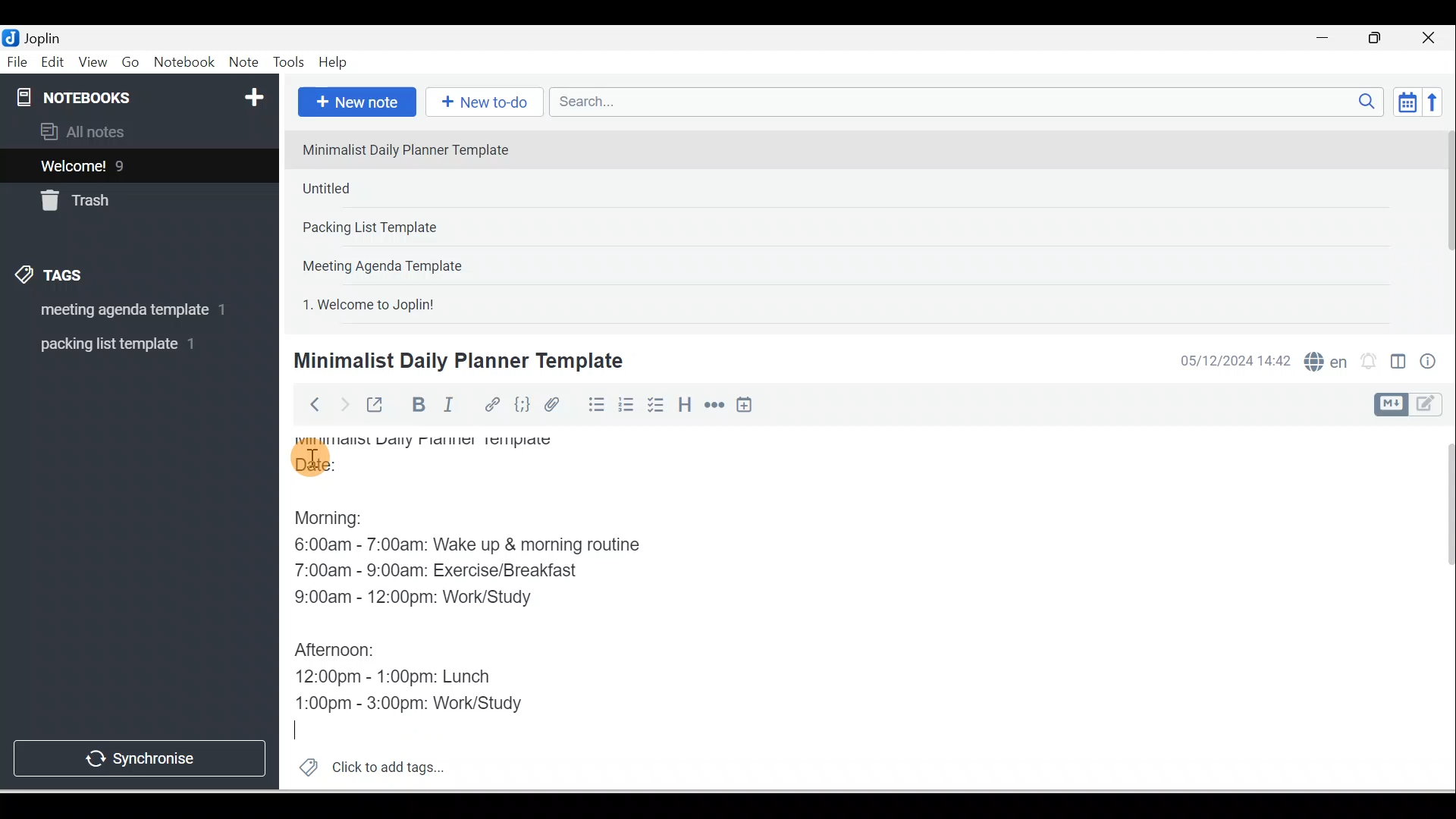 This screenshot has width=1456, height=819. What do you see at coordinates (1323, 359) in the screenshot?
I see `Spelling` at bounding box center [1323, 359].